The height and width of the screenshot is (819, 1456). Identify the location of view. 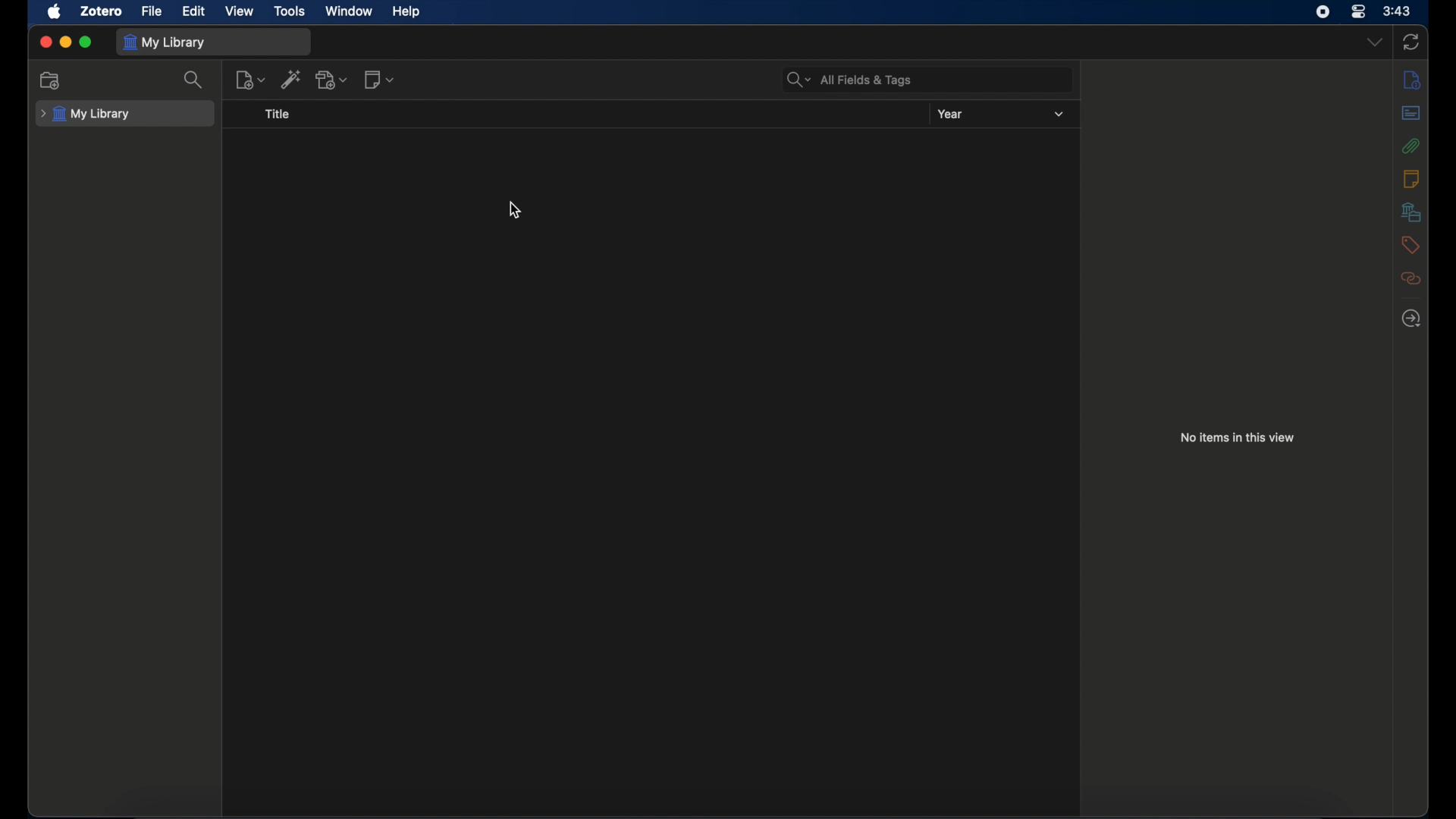
(238, 11).